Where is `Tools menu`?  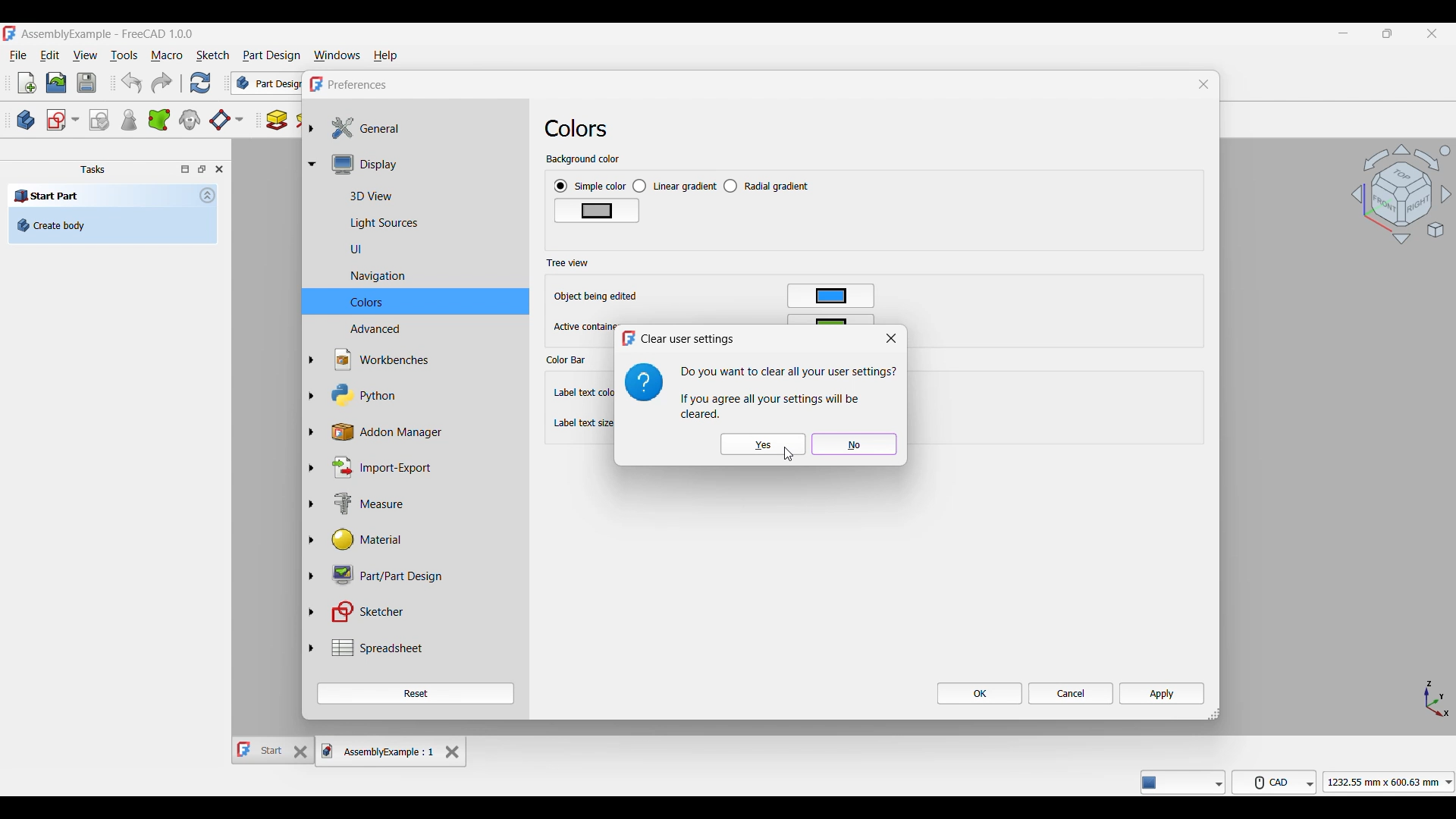 Tools menu is located at coordinates (124, 55).